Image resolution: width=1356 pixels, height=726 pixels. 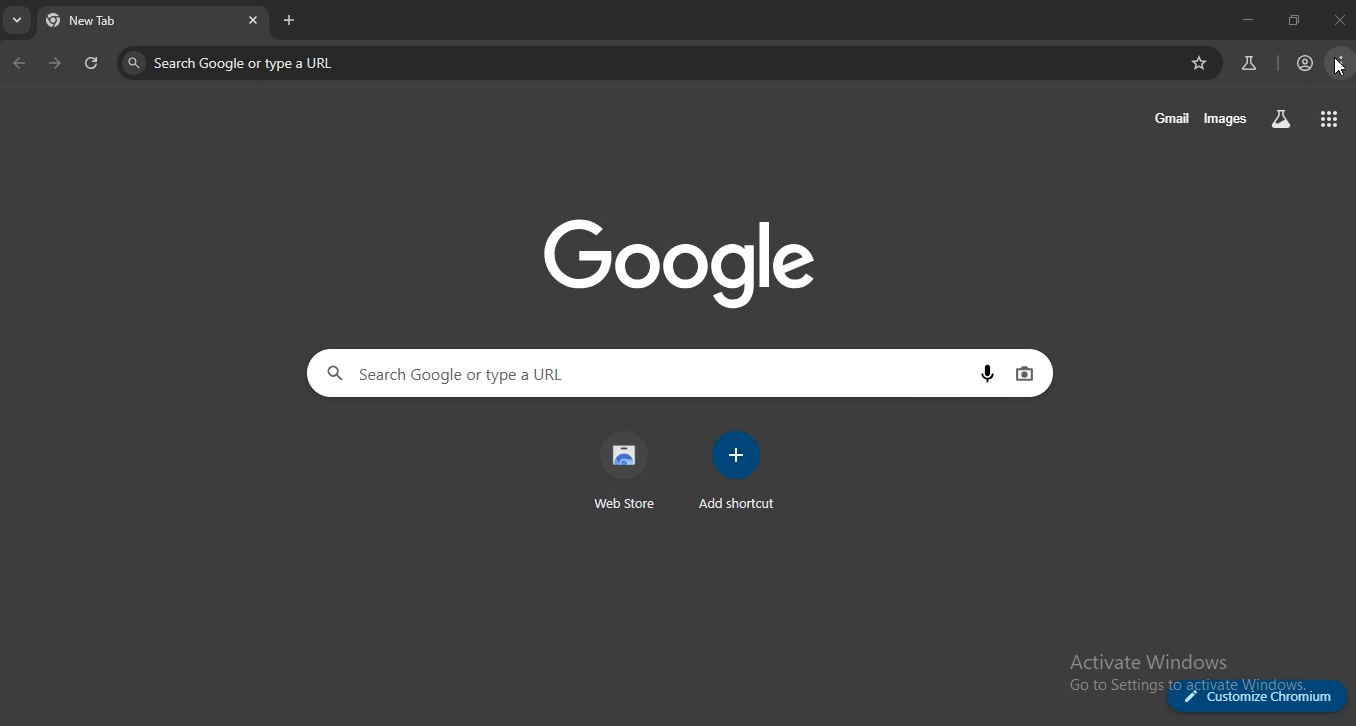 What do you see at coordinates (290, 20) in the screenshot?
I see `new tab` at bounding box center [290, 20].